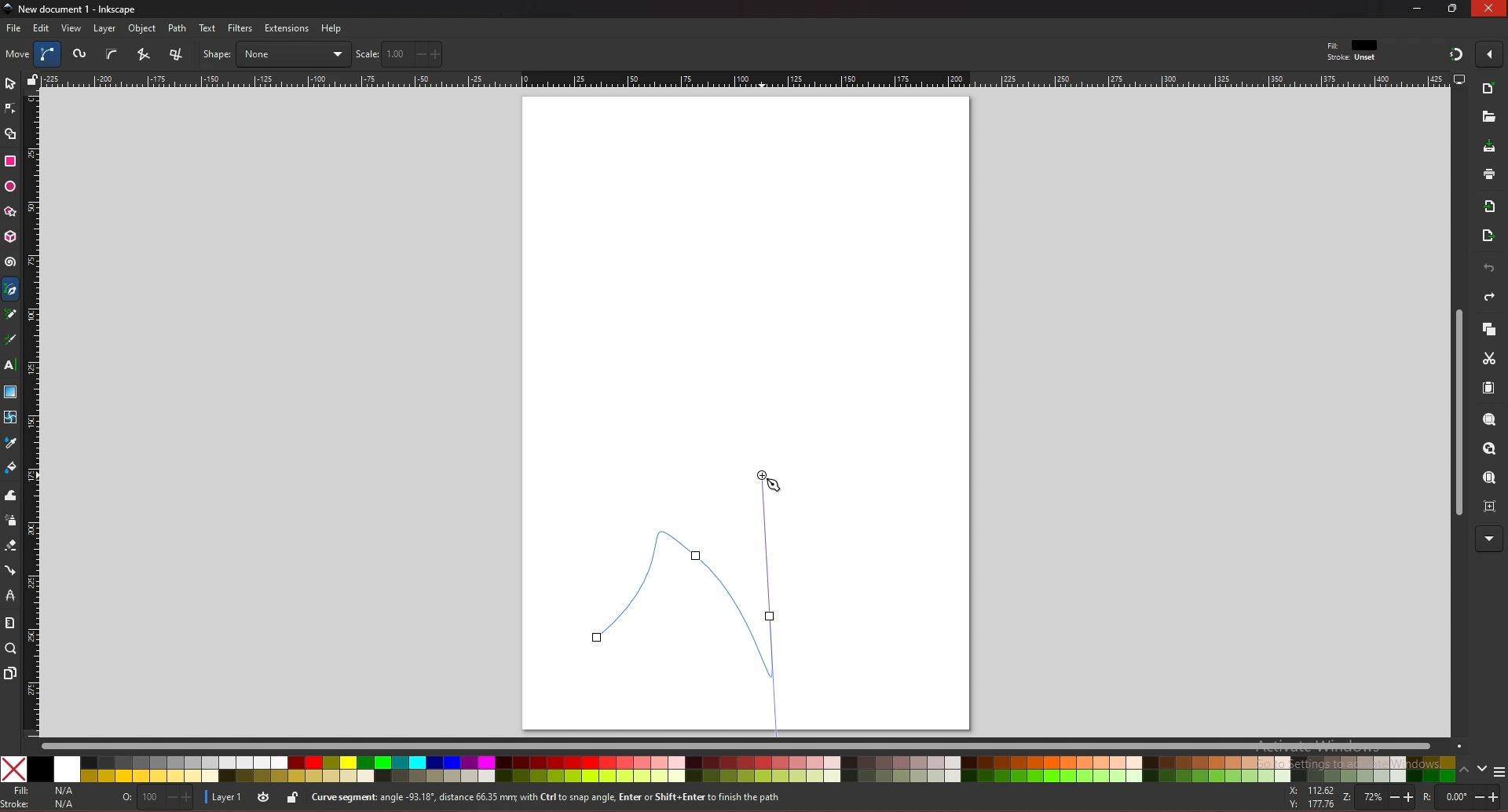 The width and height of the screenshot is (1508, 812). What do you see at coordinates (1459, 79) in the screenshot?
I see `display options` at bounding box center [1459, 79].